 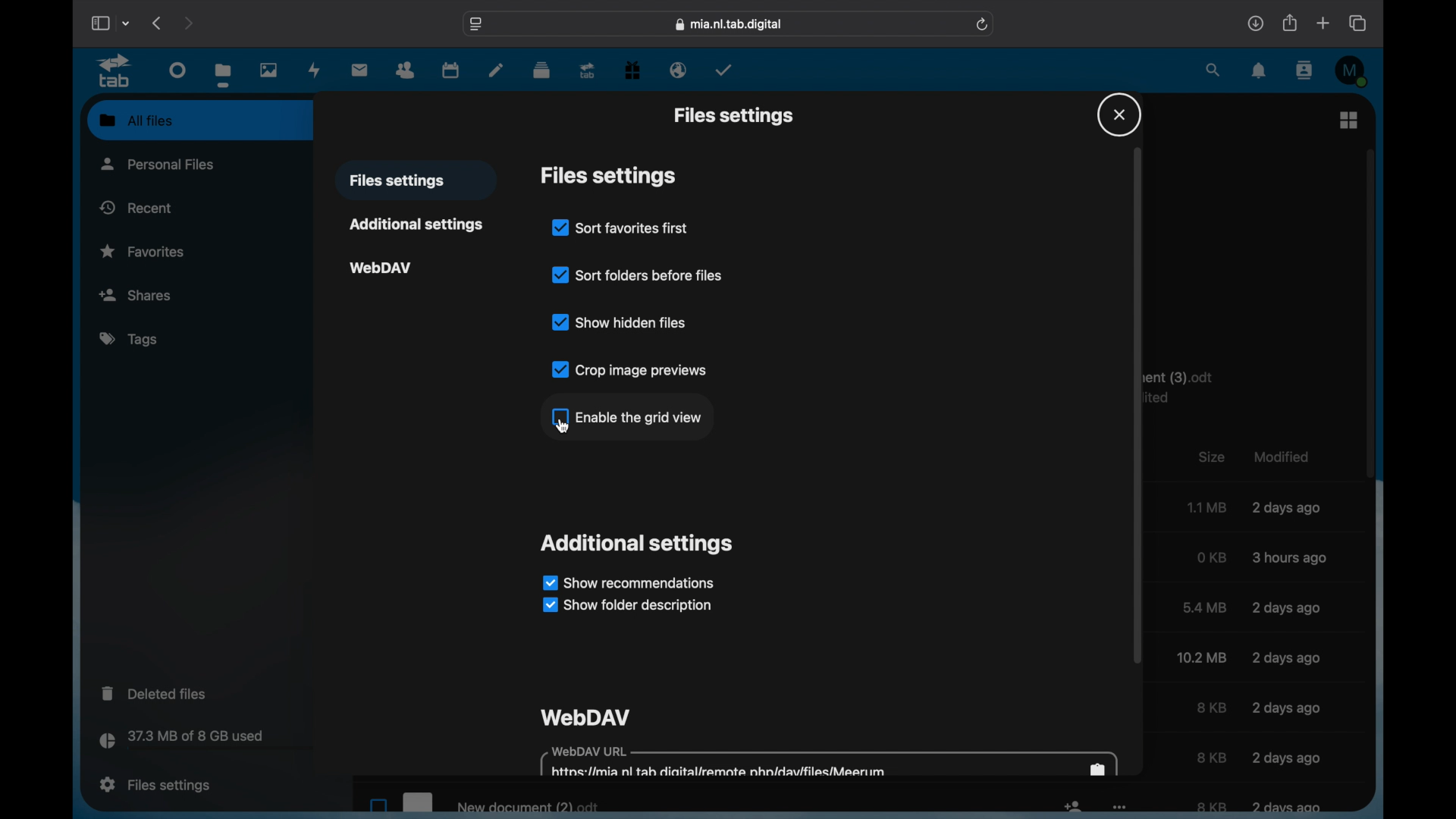 What do you see at coordinates (475, 24) in the screenshot?
I see `website settings` at bounding box center [475, 24].